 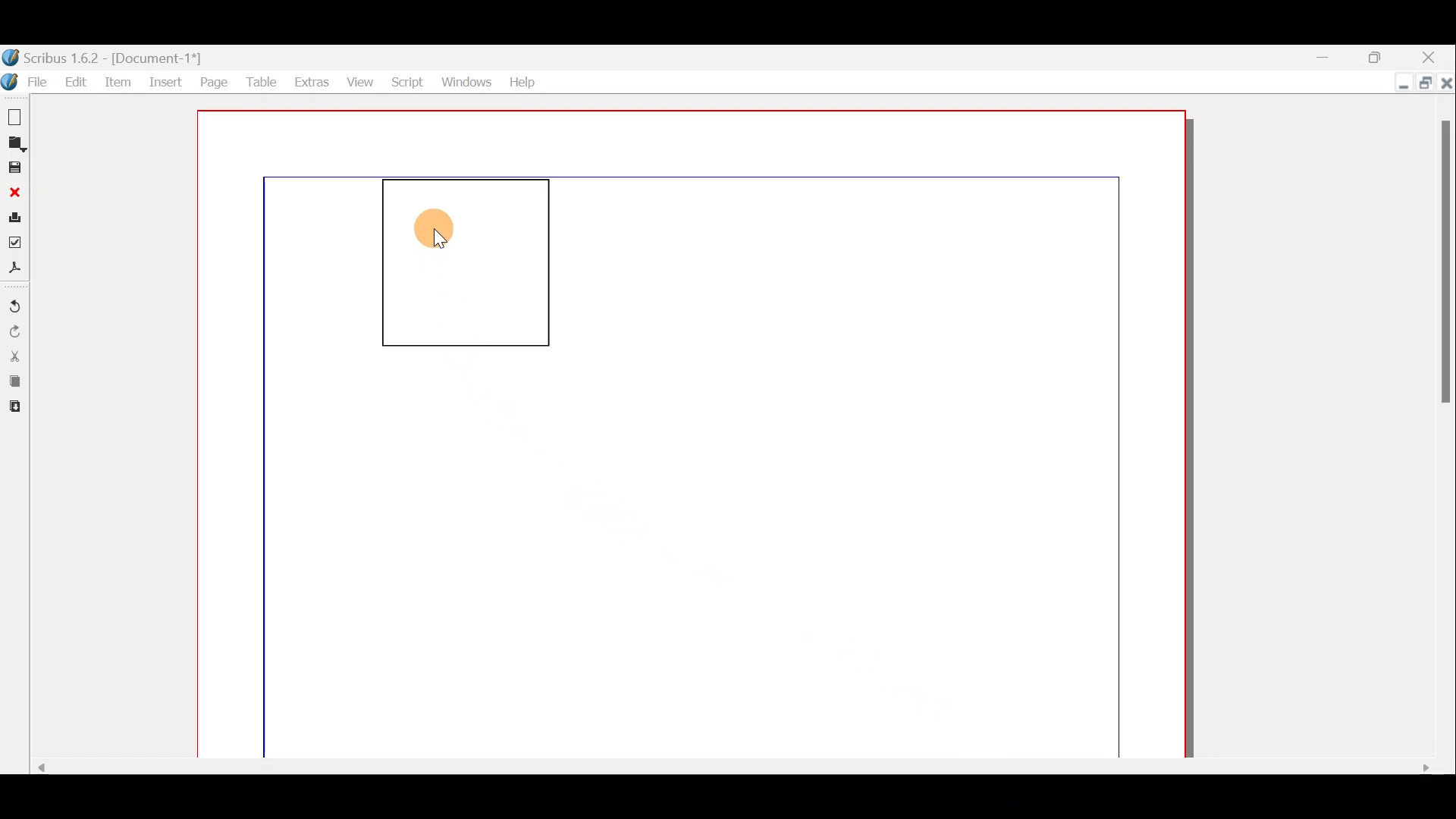 What do you see at coordinates (12, 383) in the screenshot?
I see `Copy` at bounding box center [12, 383].